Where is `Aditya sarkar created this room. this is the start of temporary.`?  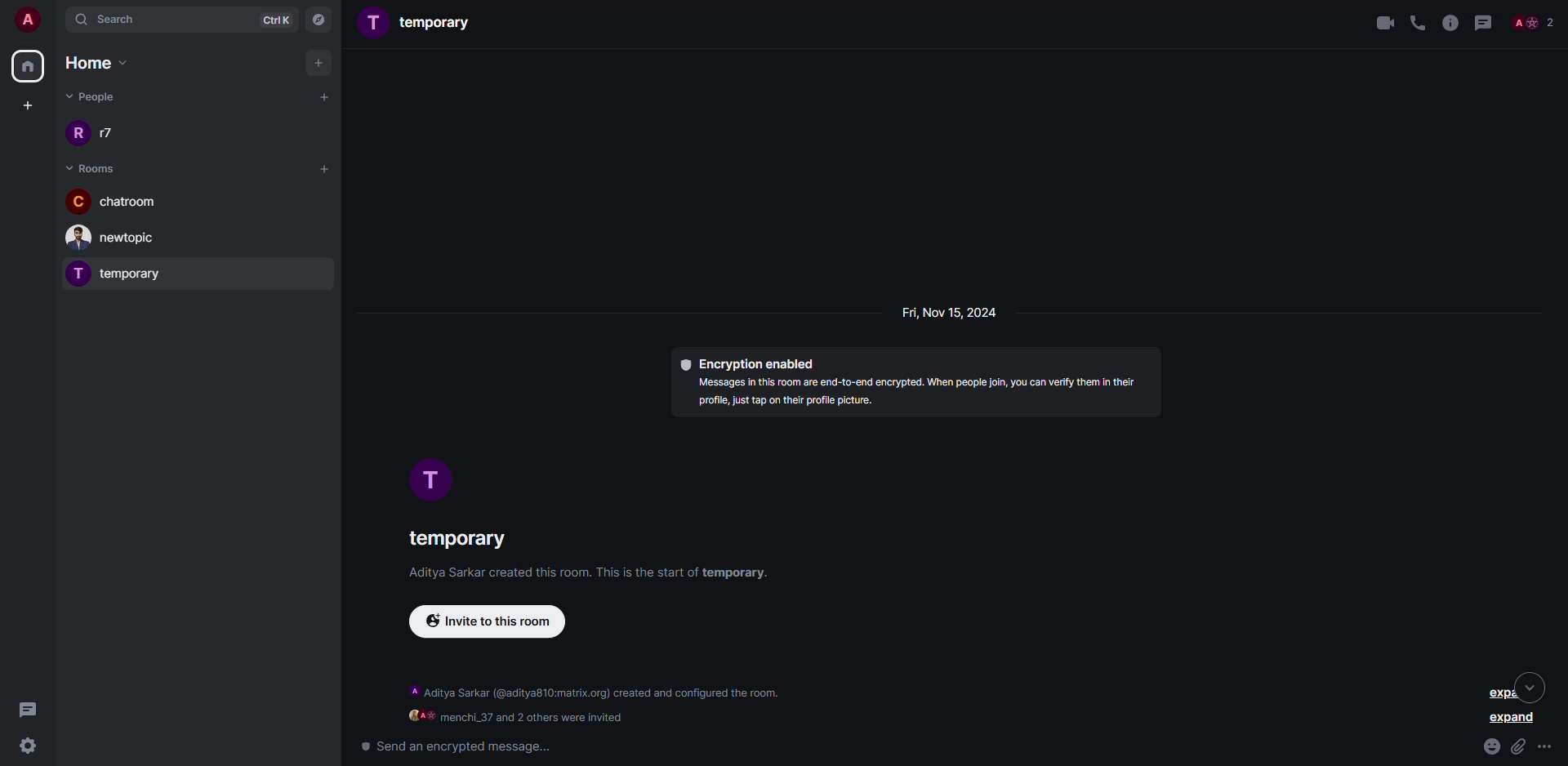
Aditya sarkar created this room. this is the start of temporary. is located at coordinates (577, 575).